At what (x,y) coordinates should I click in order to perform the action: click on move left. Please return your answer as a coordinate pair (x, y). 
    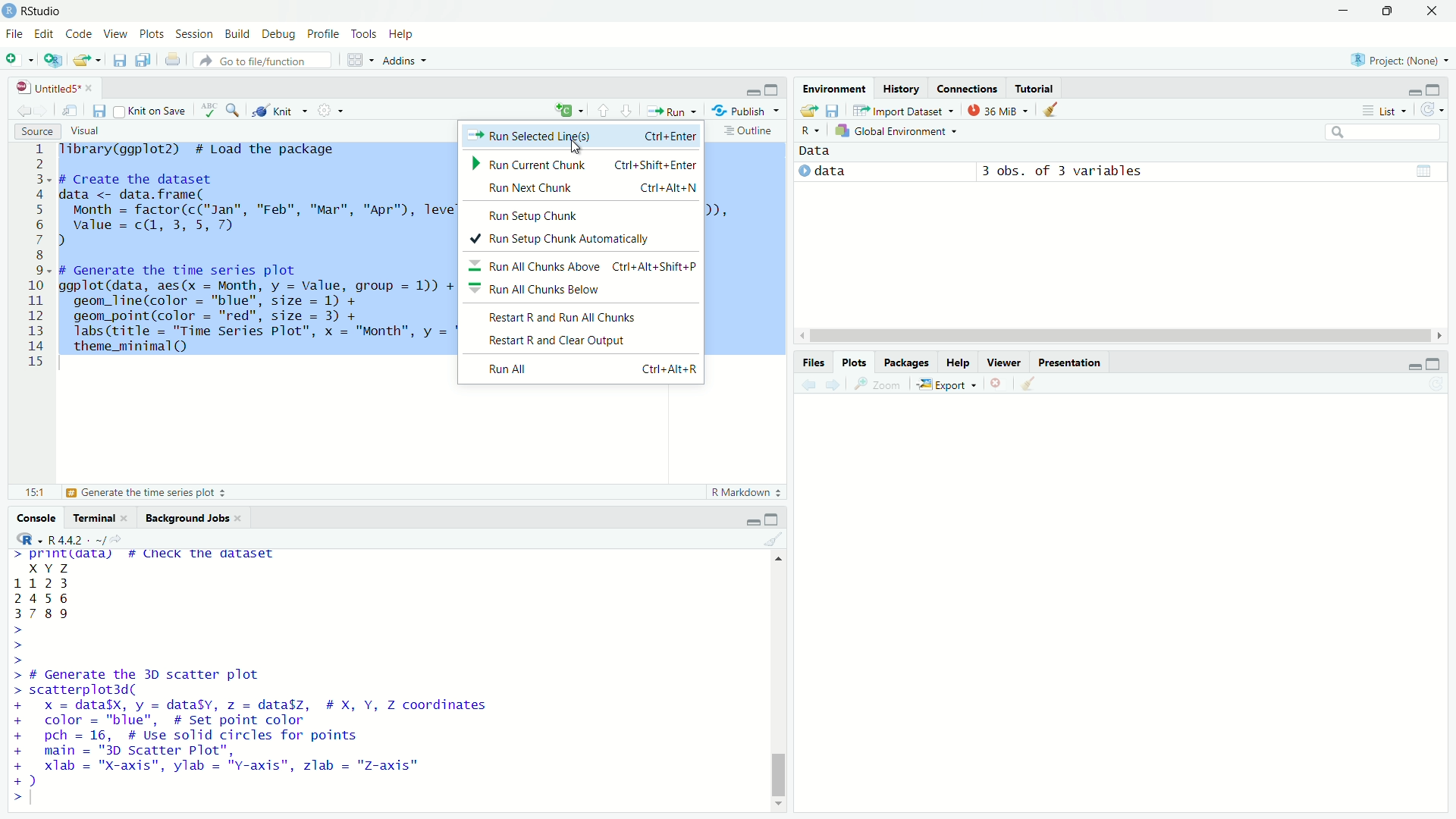
    Looking at the image, I should click on (800, 335).